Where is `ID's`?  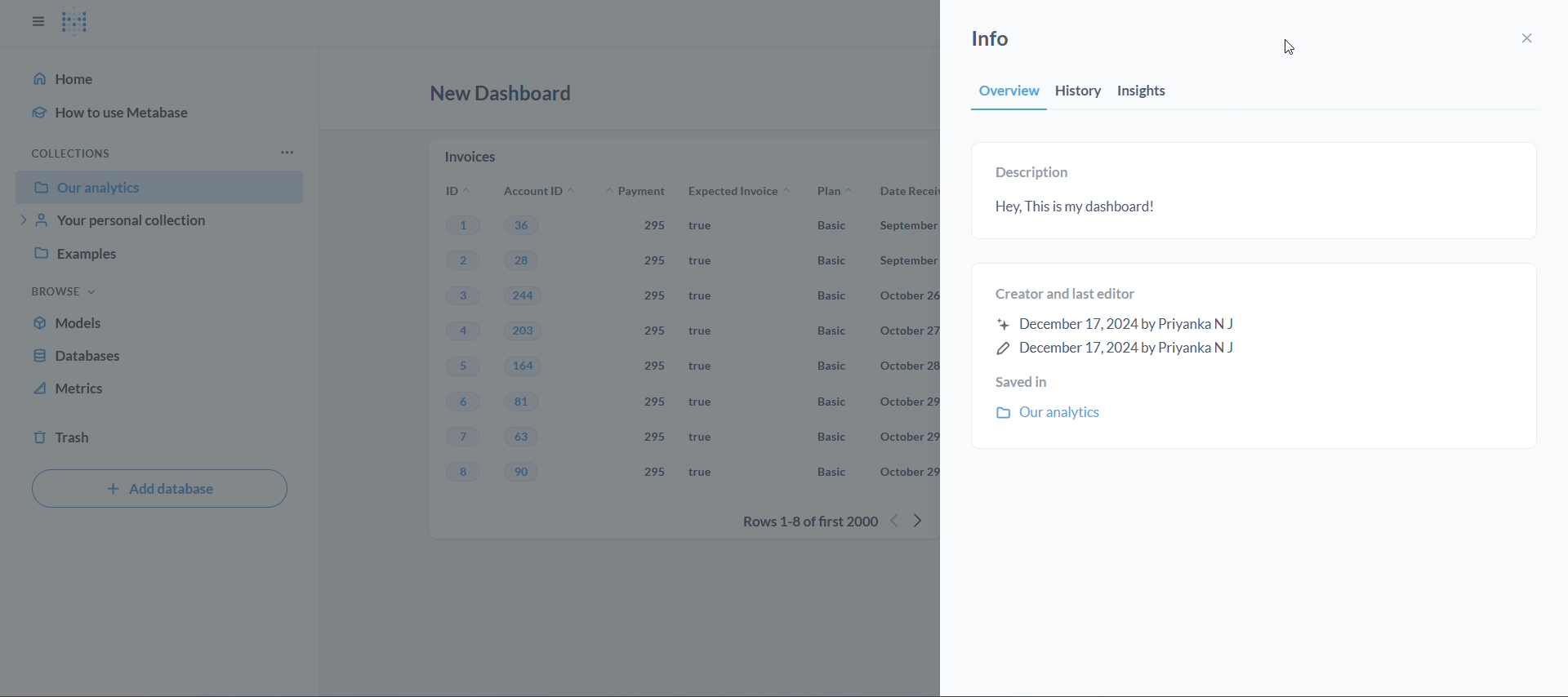 ID's is located at coordinates (451, 191).